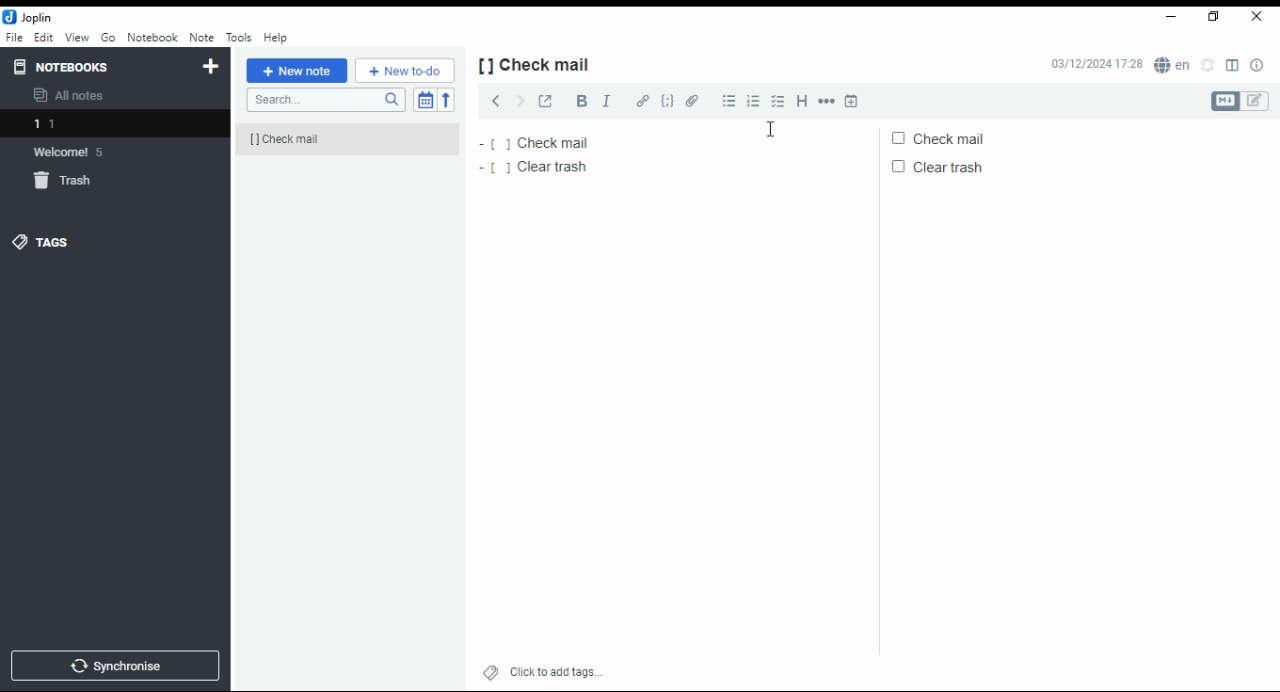 The width and height of the screenshot is (1280, 692). I want to click on mouse pointer, so click(771, 128).